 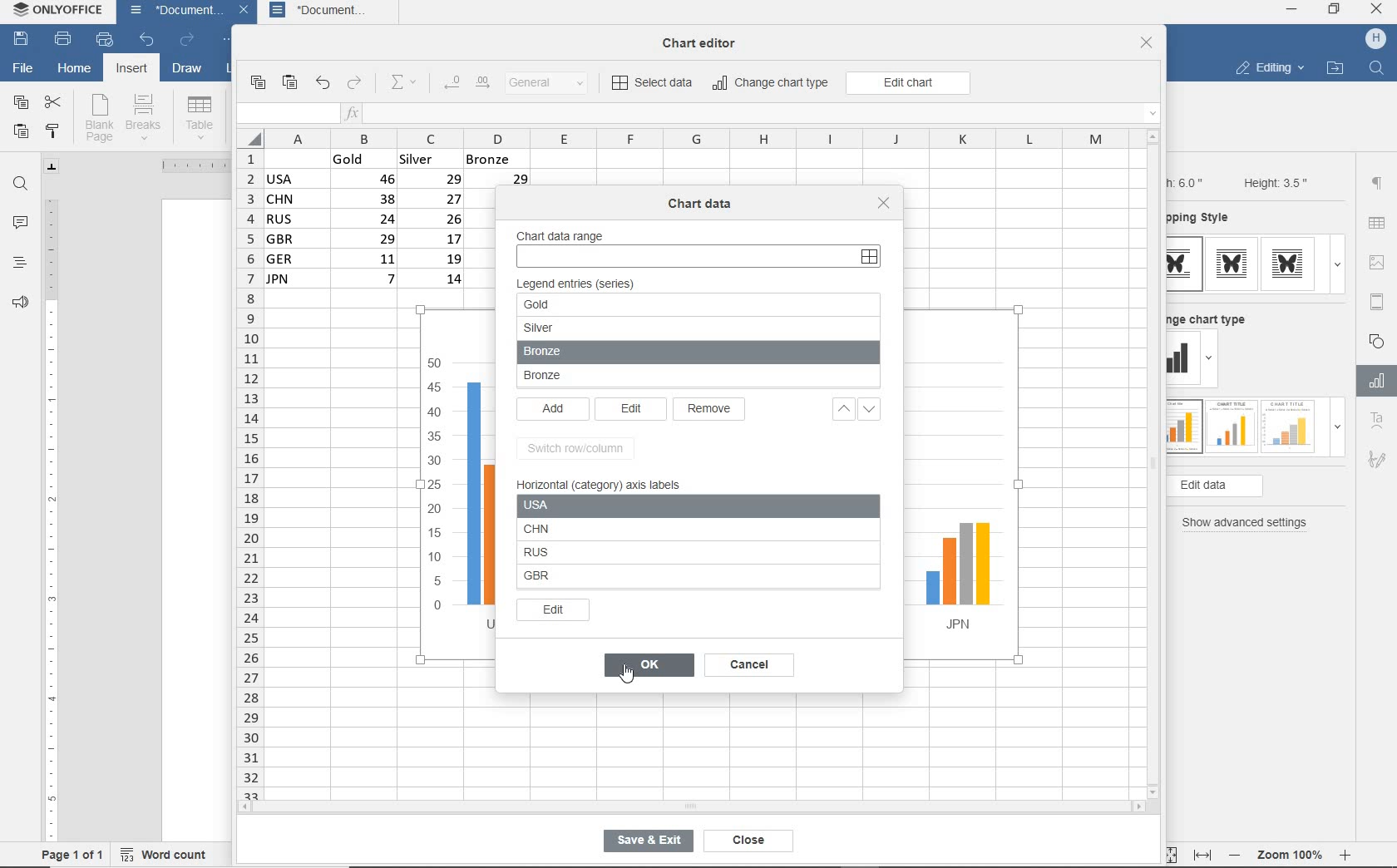 What do you see at coordinates (1346, 852) in the screenshot?
I see `zoom in` at bounding box center [1346, 852].